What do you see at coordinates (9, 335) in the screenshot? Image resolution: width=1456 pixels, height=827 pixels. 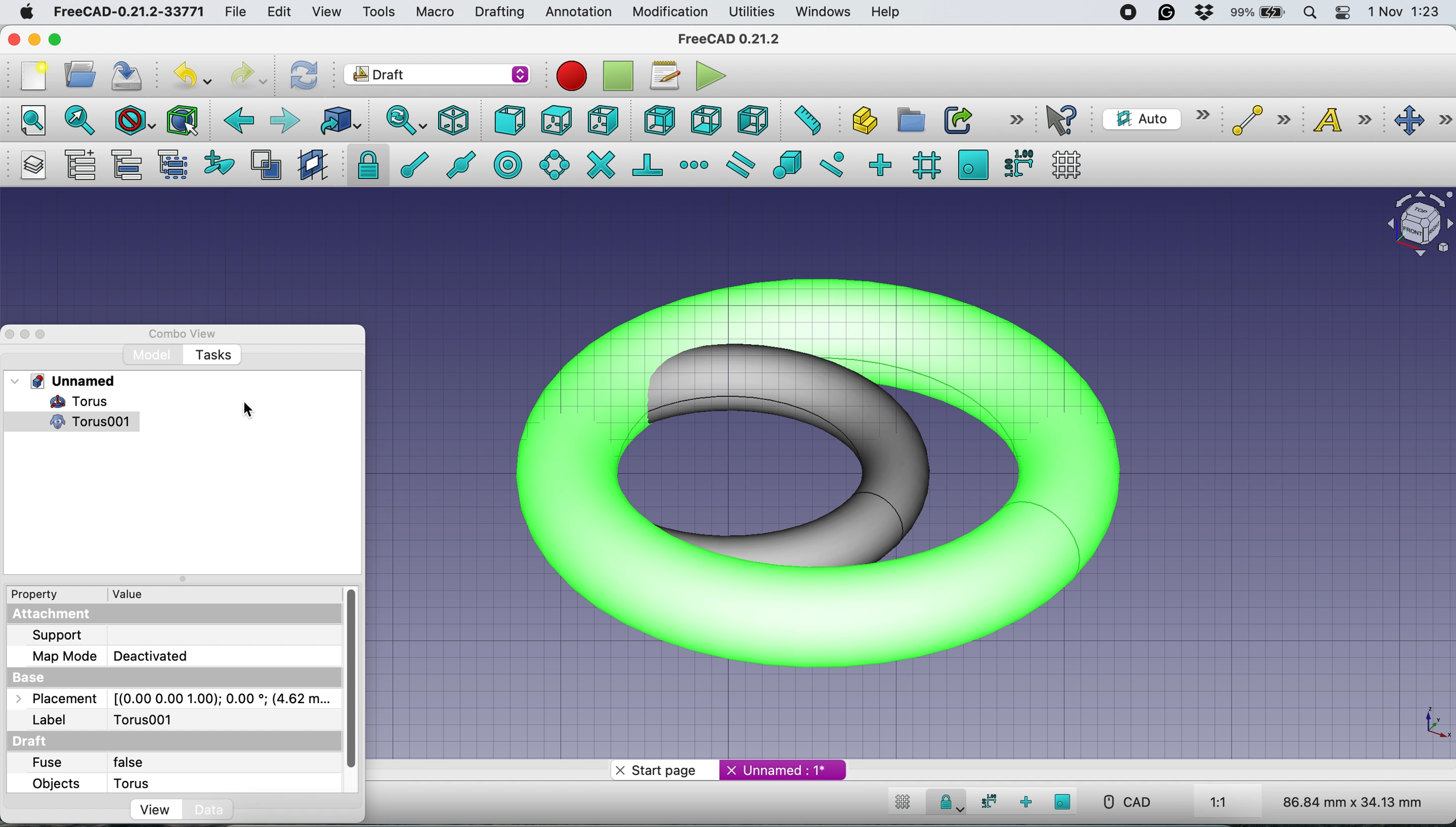 I see `close dock view` at bounding box center [9, 335].